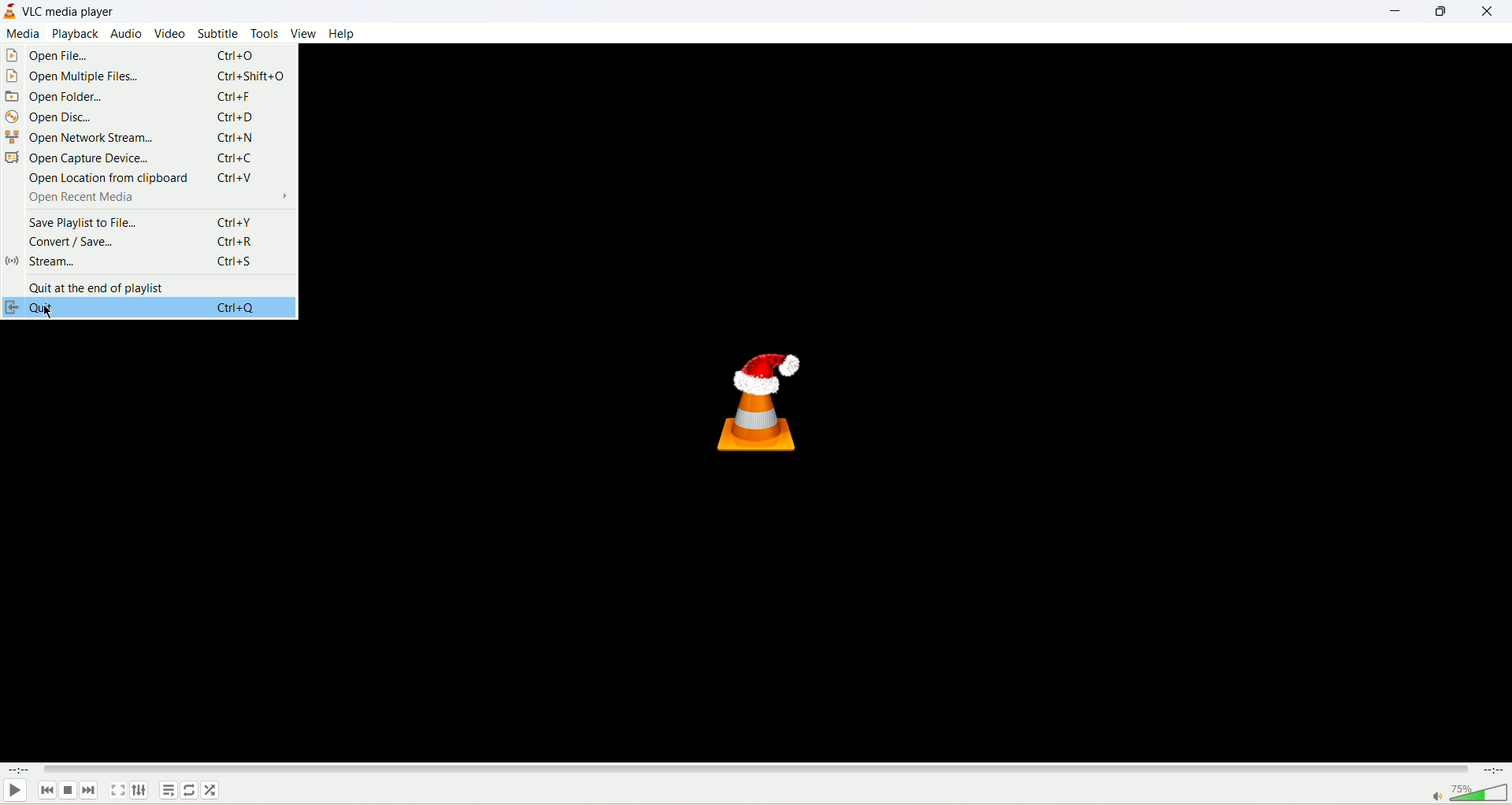 This screenshot has height=805, width=1512. I want to click on remaining time, so click(1492, 772).